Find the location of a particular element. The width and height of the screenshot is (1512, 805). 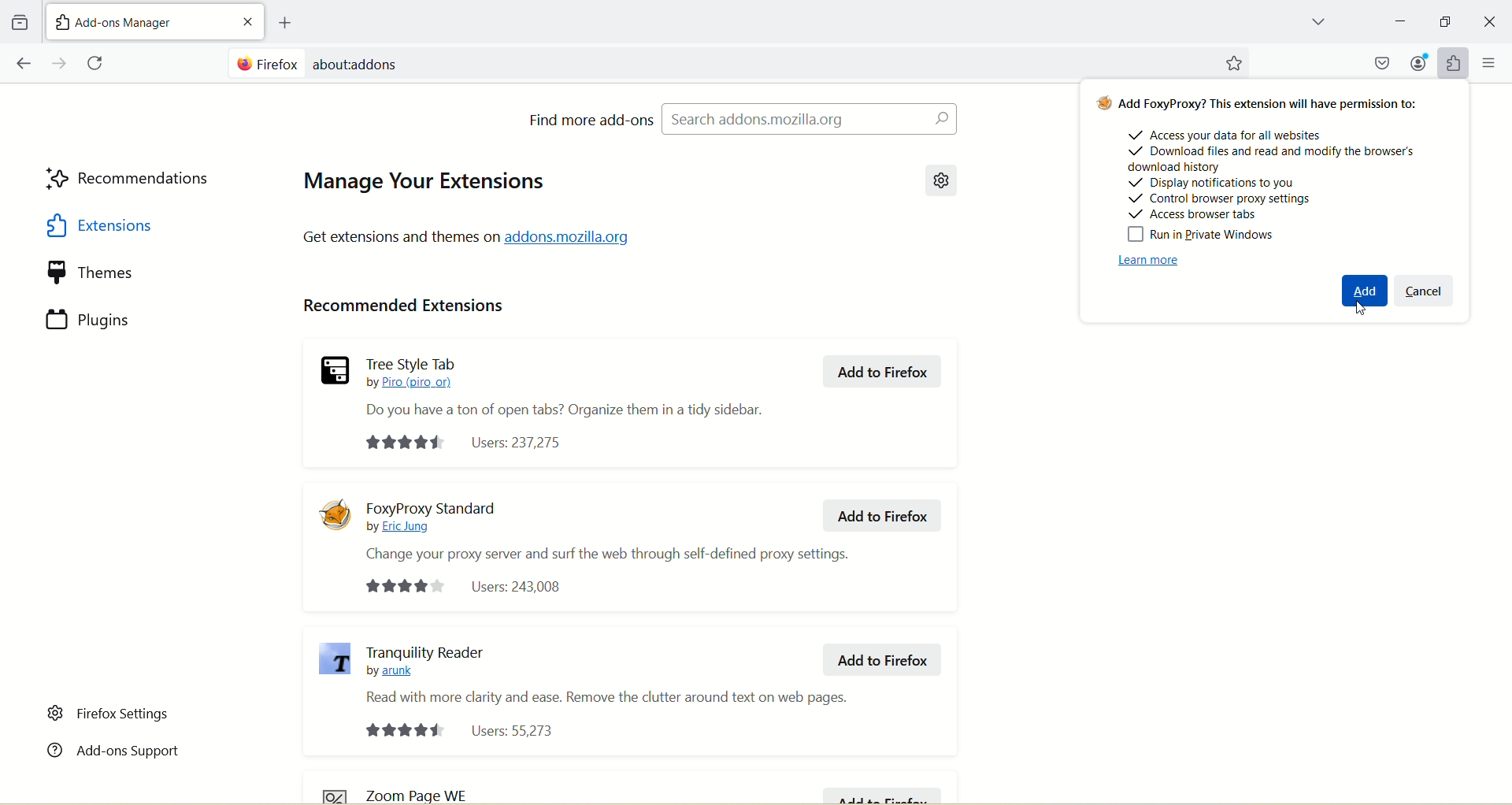

Drop down box is located at coordinates (1317, 24).